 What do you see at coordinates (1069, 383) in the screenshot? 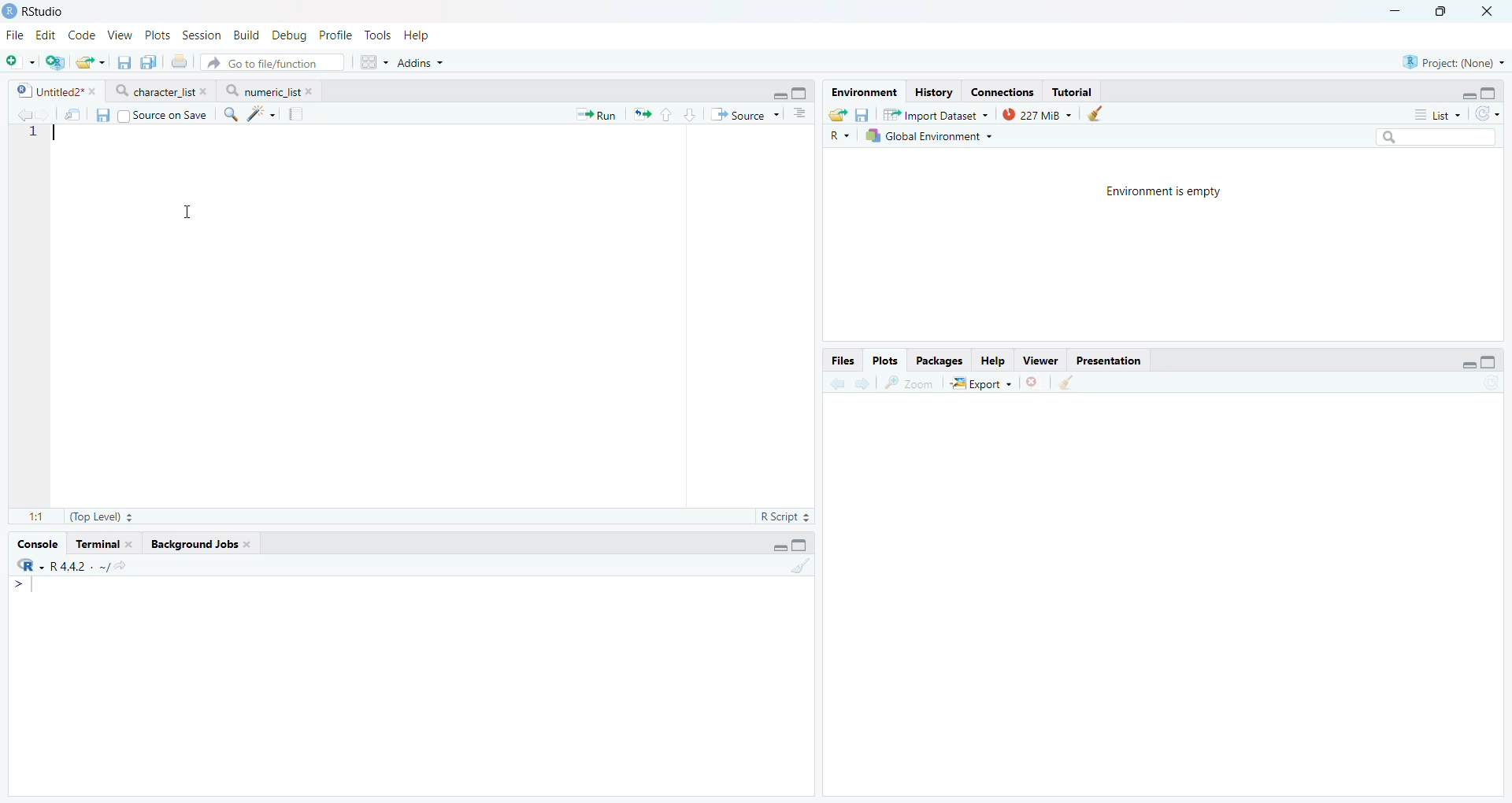
I see `Clear` at bounding box center [1069, 383].